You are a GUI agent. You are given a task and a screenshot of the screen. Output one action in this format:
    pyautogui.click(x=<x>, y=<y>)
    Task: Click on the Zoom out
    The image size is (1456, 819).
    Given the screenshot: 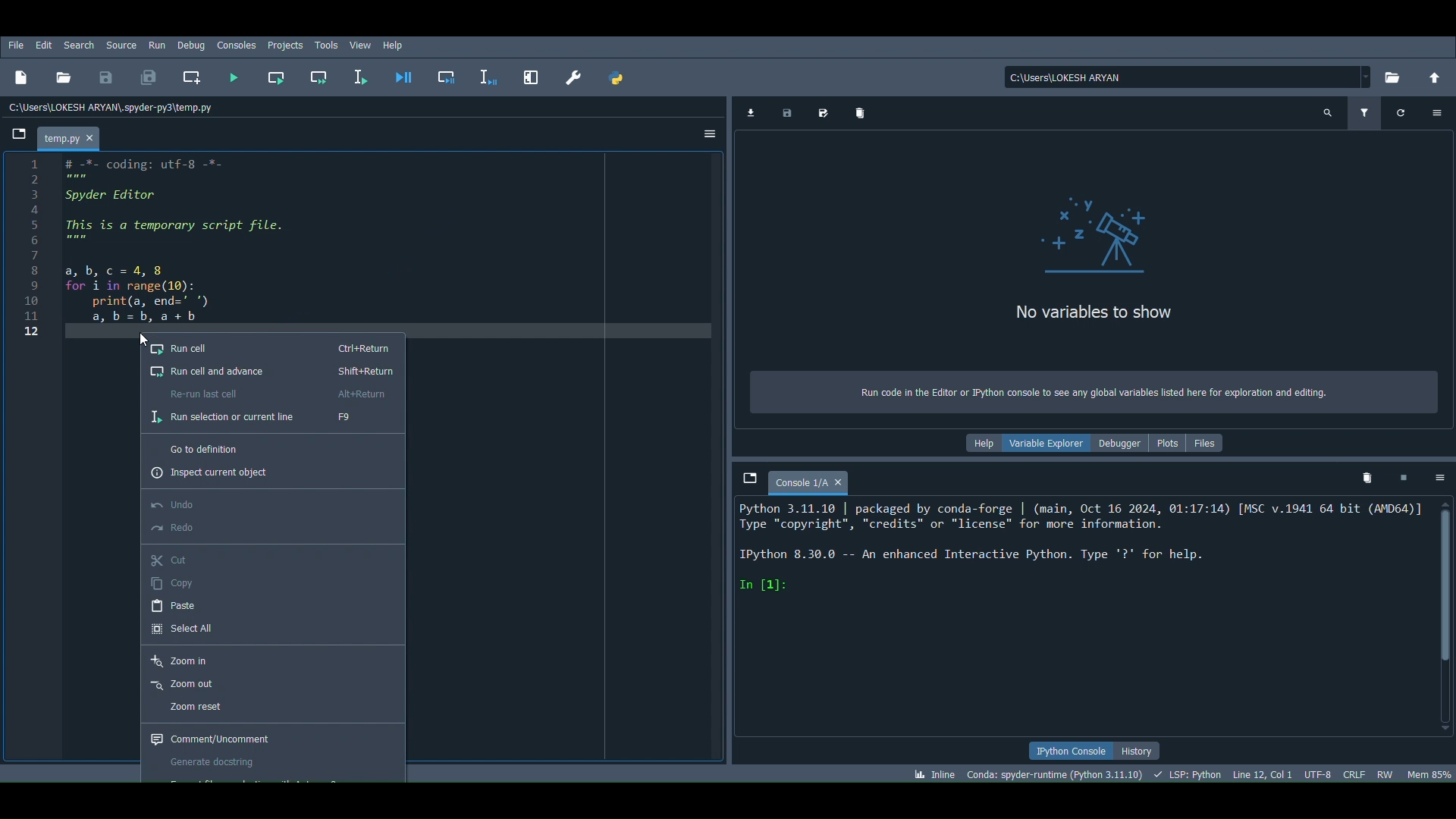 What is the action you would take?
    pyautogui.click(x=273, y=682)
    